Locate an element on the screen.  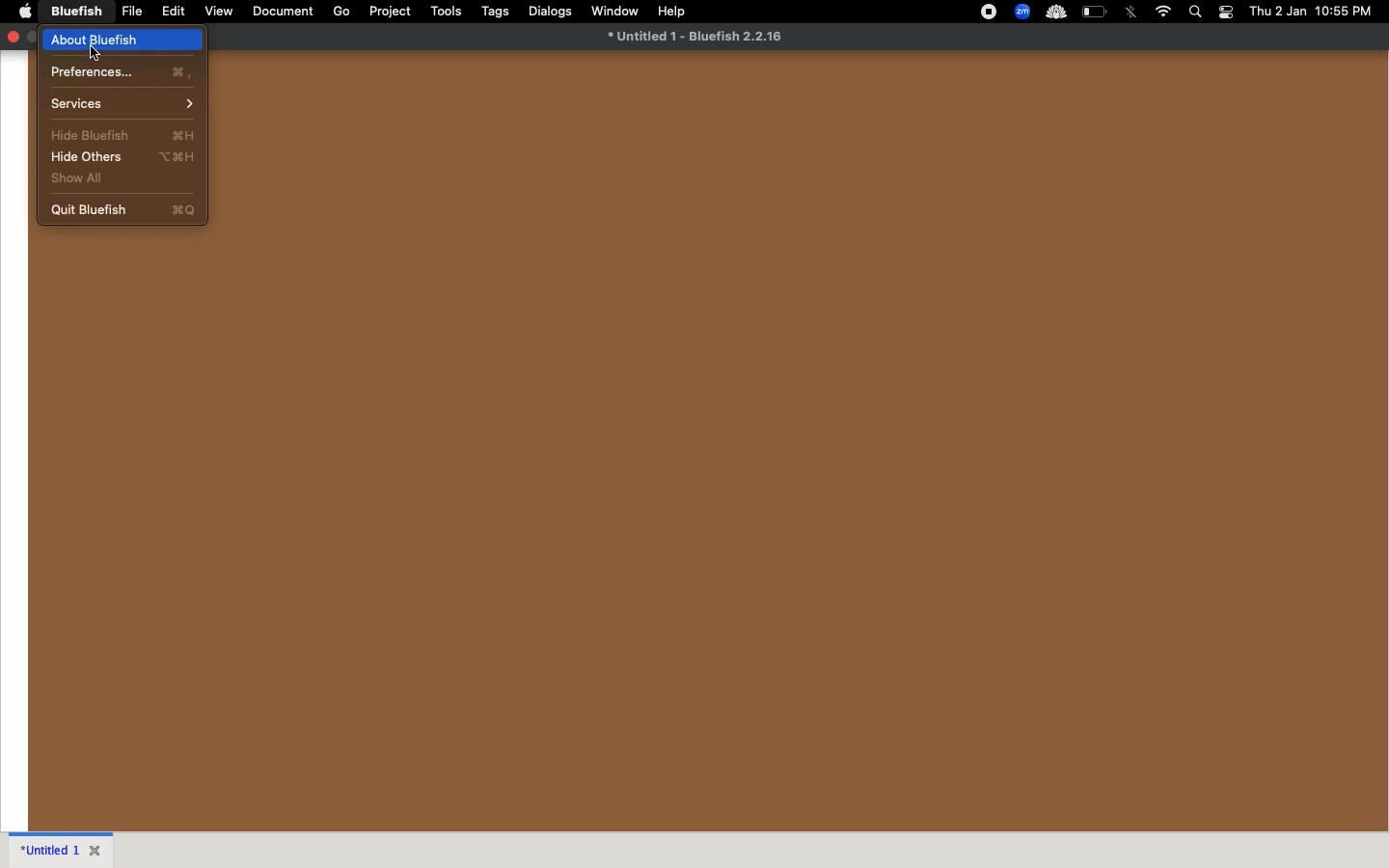
bluefish is located at coordinates (78, 11).